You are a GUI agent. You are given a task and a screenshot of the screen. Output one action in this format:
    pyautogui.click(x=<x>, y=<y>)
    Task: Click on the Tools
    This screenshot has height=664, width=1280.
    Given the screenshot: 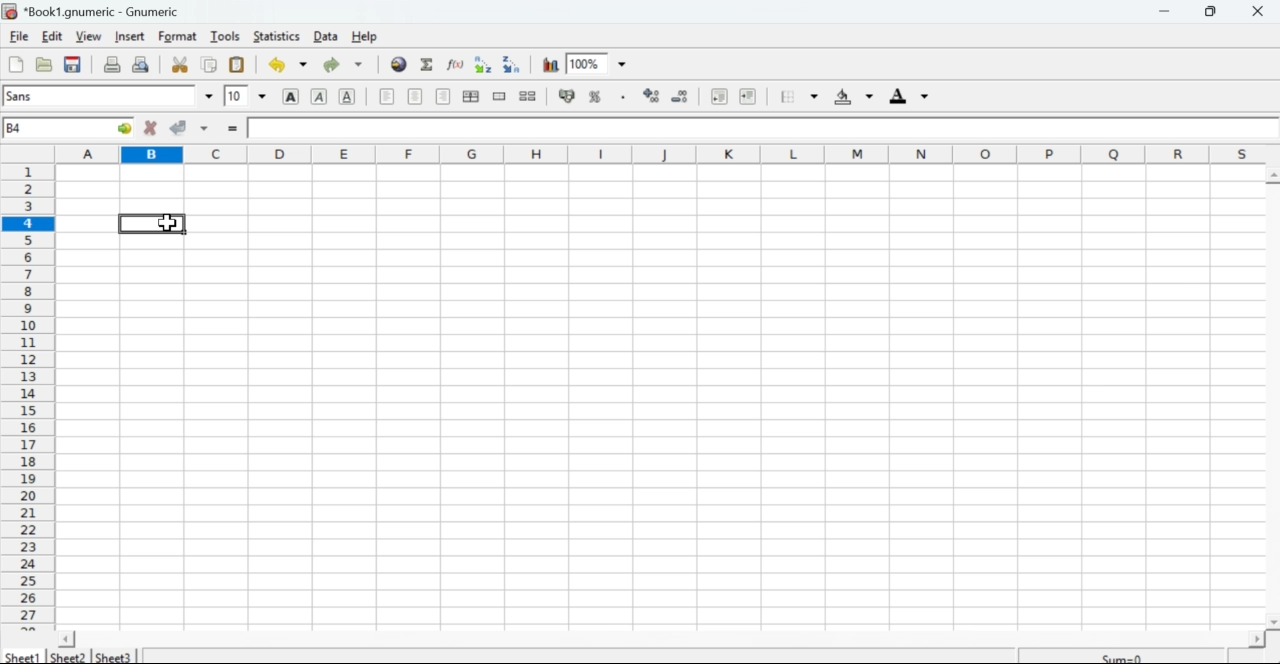 What is the action you would take?
    pyautogui.click(x=223, y=36)
    